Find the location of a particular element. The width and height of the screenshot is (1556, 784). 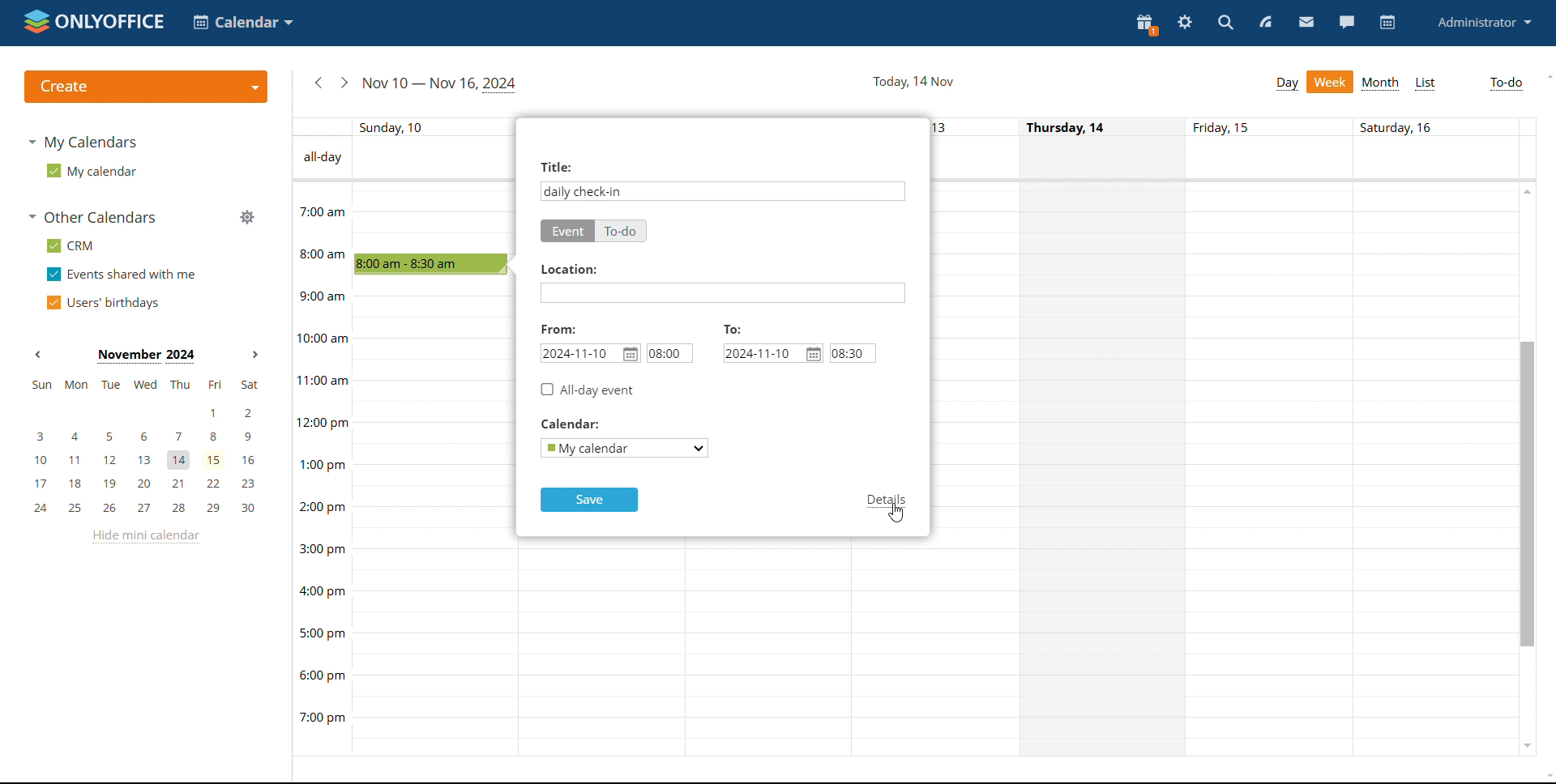

mail is located at coordinates (1307, 23).